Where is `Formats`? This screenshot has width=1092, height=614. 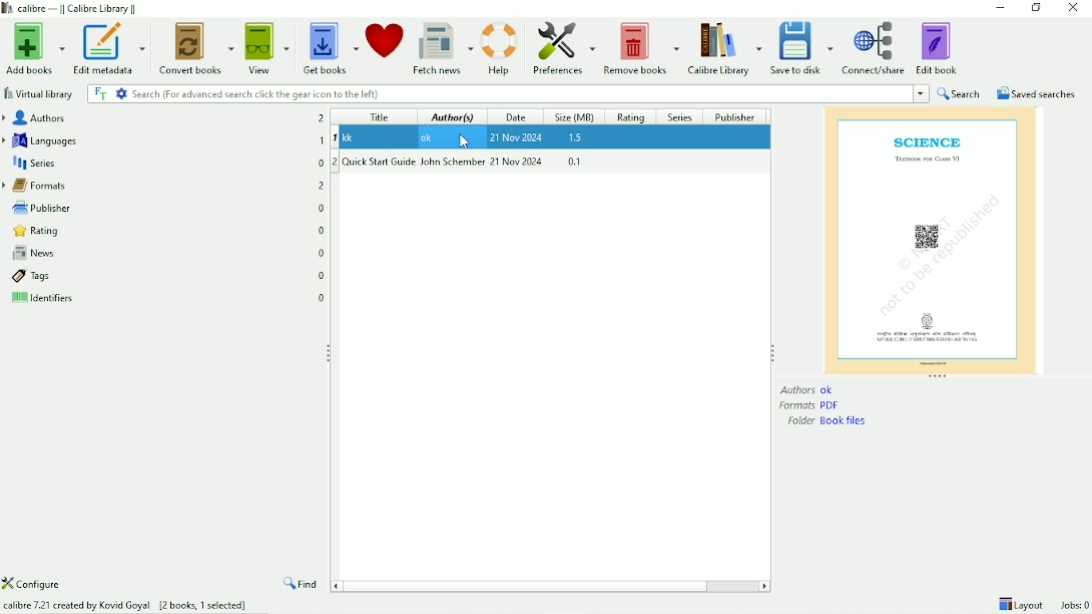
Formats is located at coordinates (162, 186).